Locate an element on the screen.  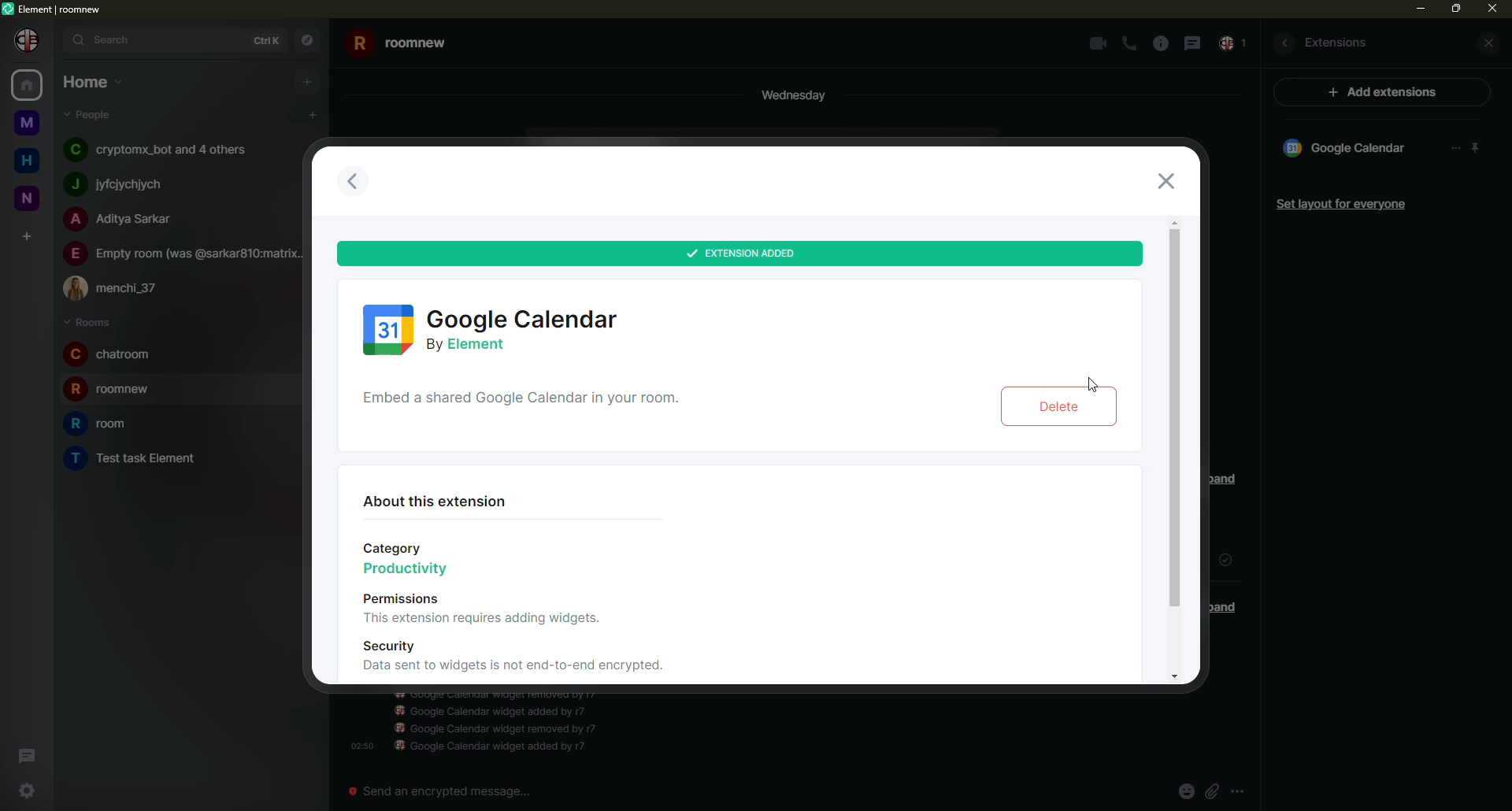
room is located at coordinates (400, 45).